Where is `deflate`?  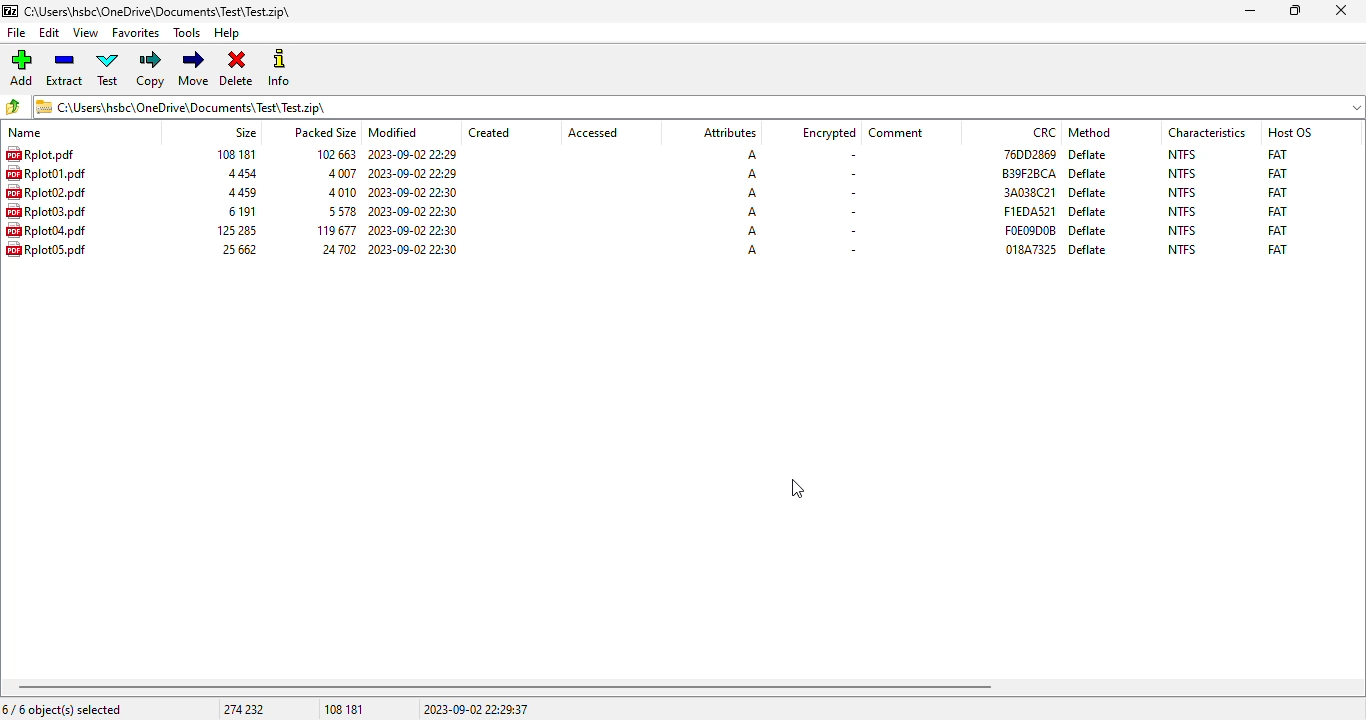 deflate is located at coordinates (1088, 192).